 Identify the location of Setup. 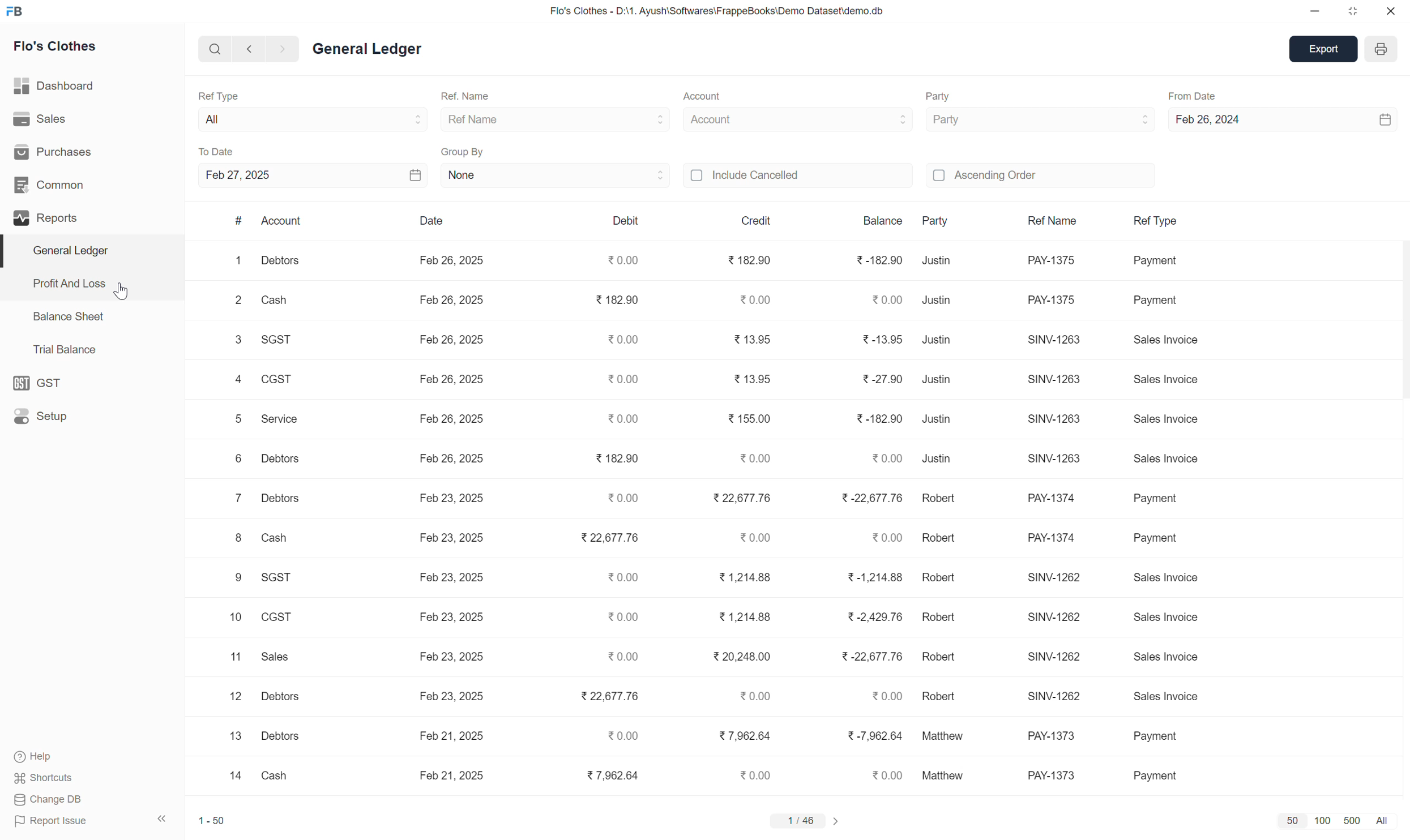
(41, 417).